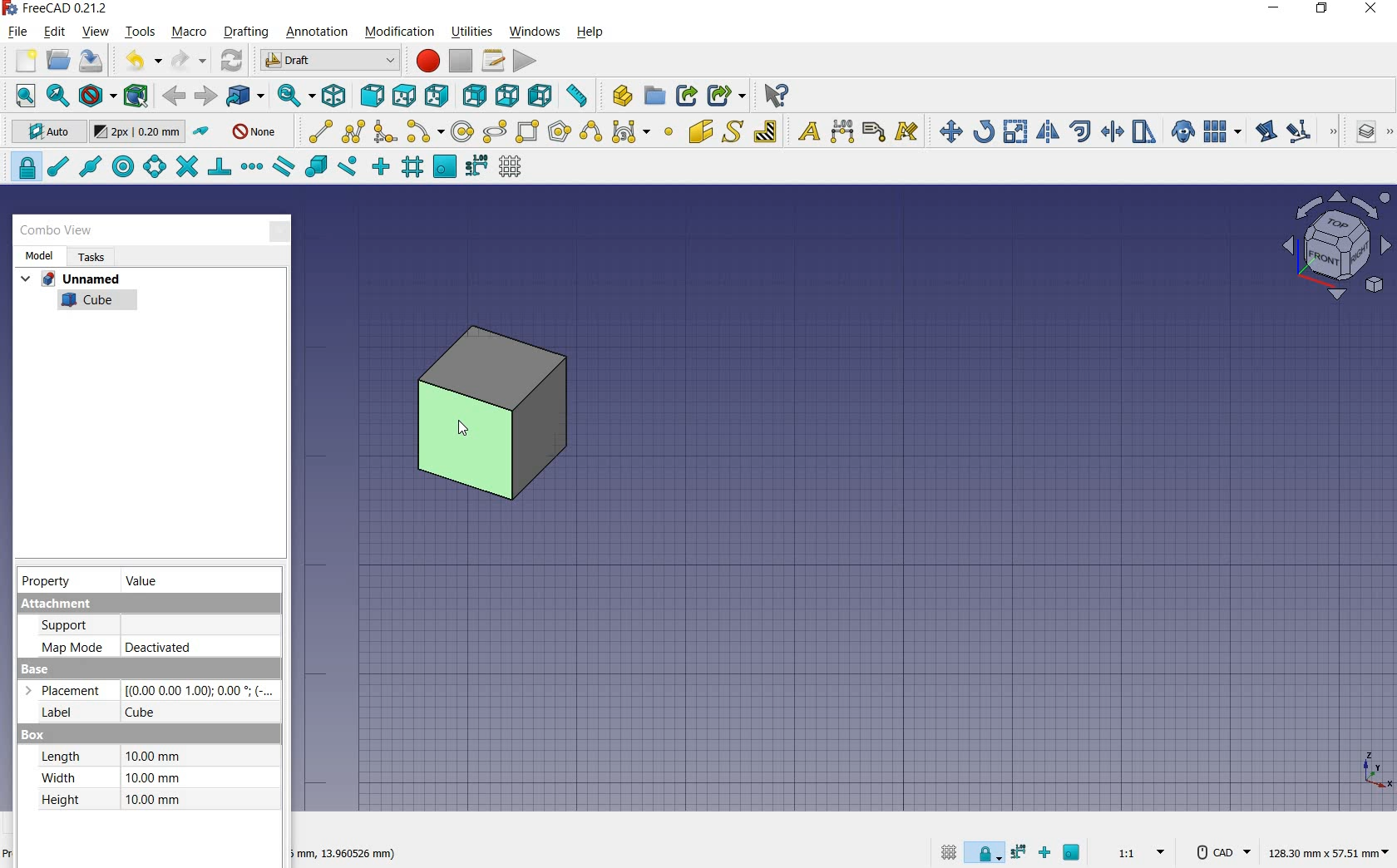 The height and width of the screenshot is (868, 1397). What do you see at coordinates (22, 167) in the screenshot?
I see `snap lock` at bounding box center [22, 167].